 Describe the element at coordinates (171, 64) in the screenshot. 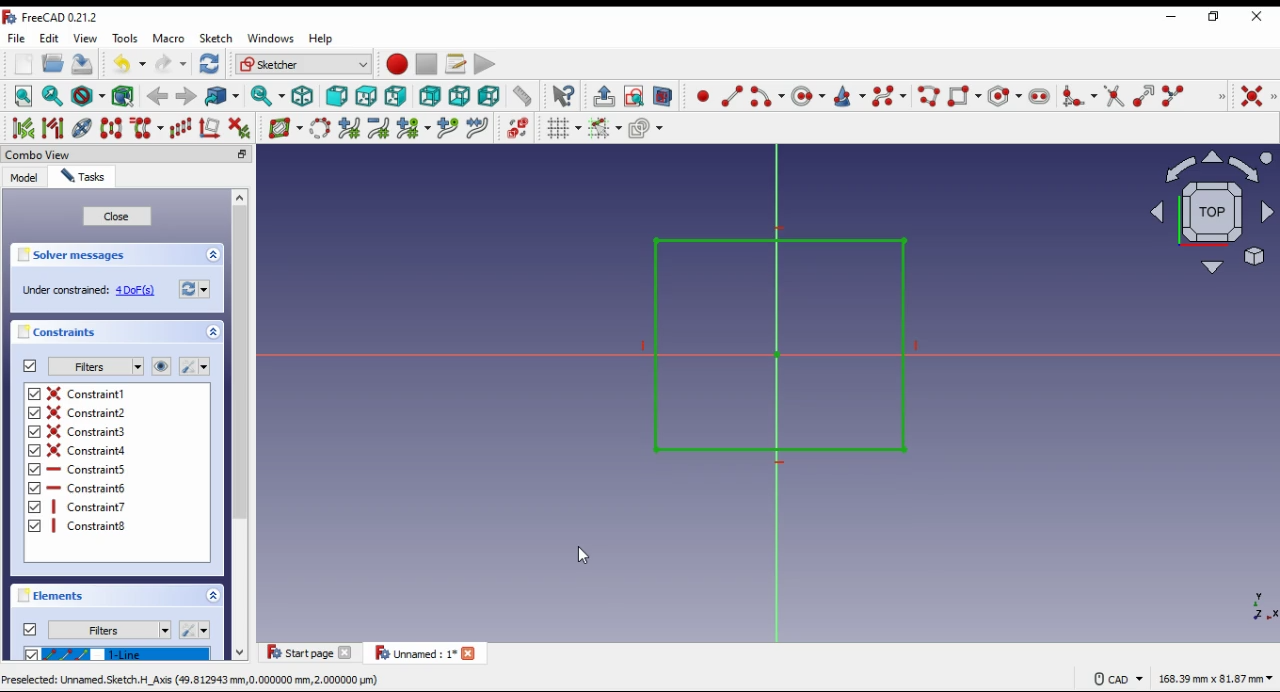

I see `redo` at that location.